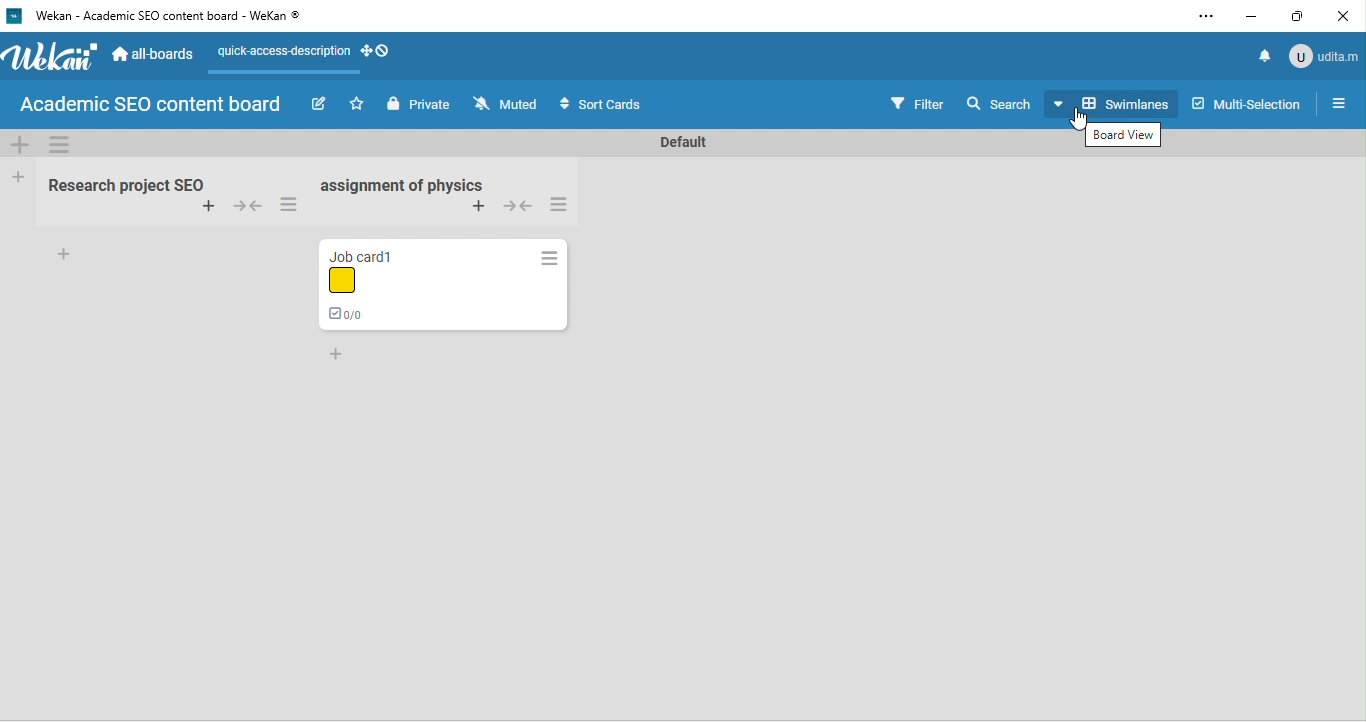 Image resolution: width=1366 pixels, height=722 pixels. What do you see at coordinates (64, 256) in the screenshot?
I see `add` at bounding box center [64, 256].